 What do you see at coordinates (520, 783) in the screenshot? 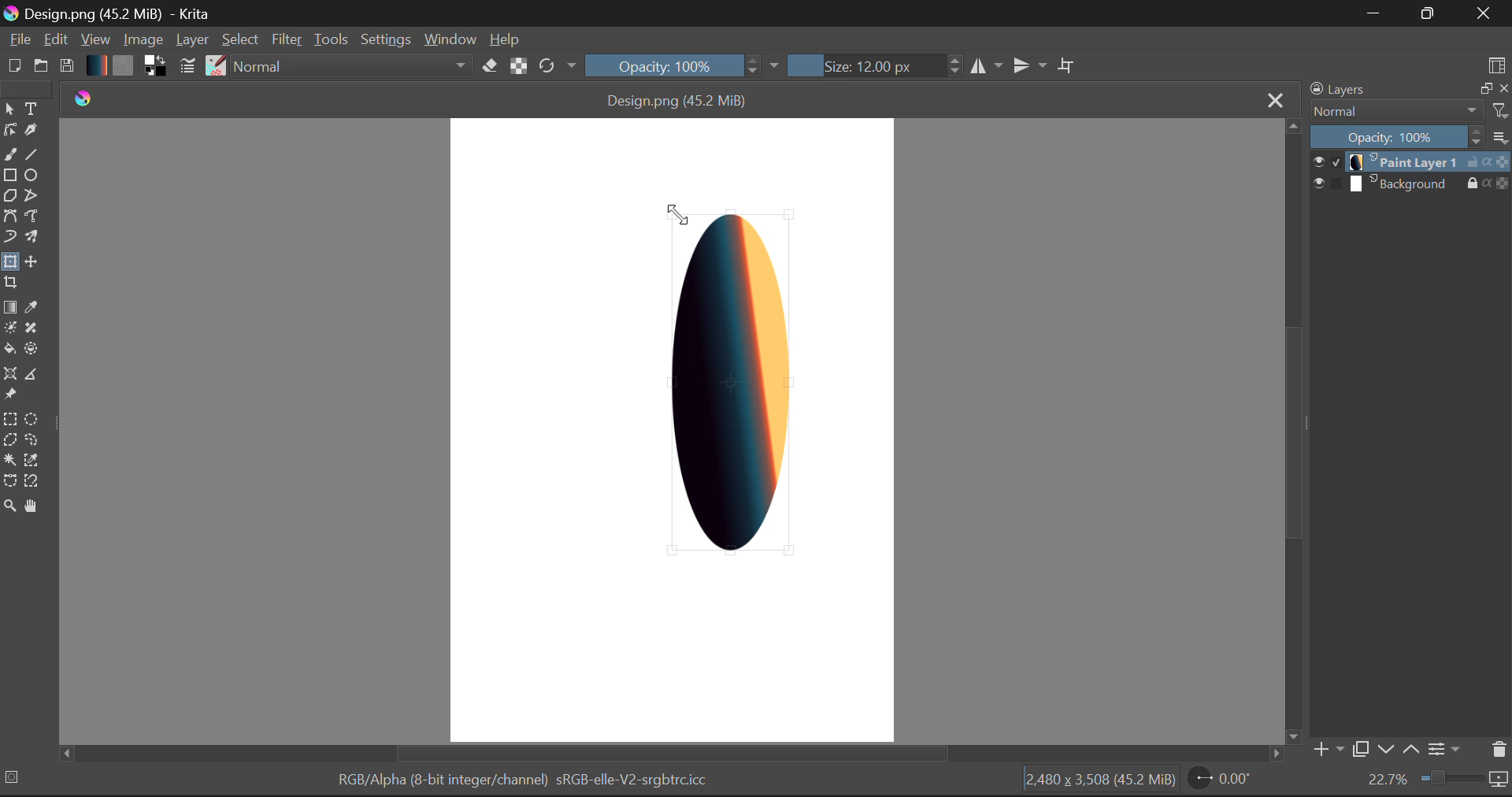
I see `RGB/Alpha(8-bit integer/channel) sRGB-elle-V2-srgbttrc.icc` at bounding box center [520, 783].